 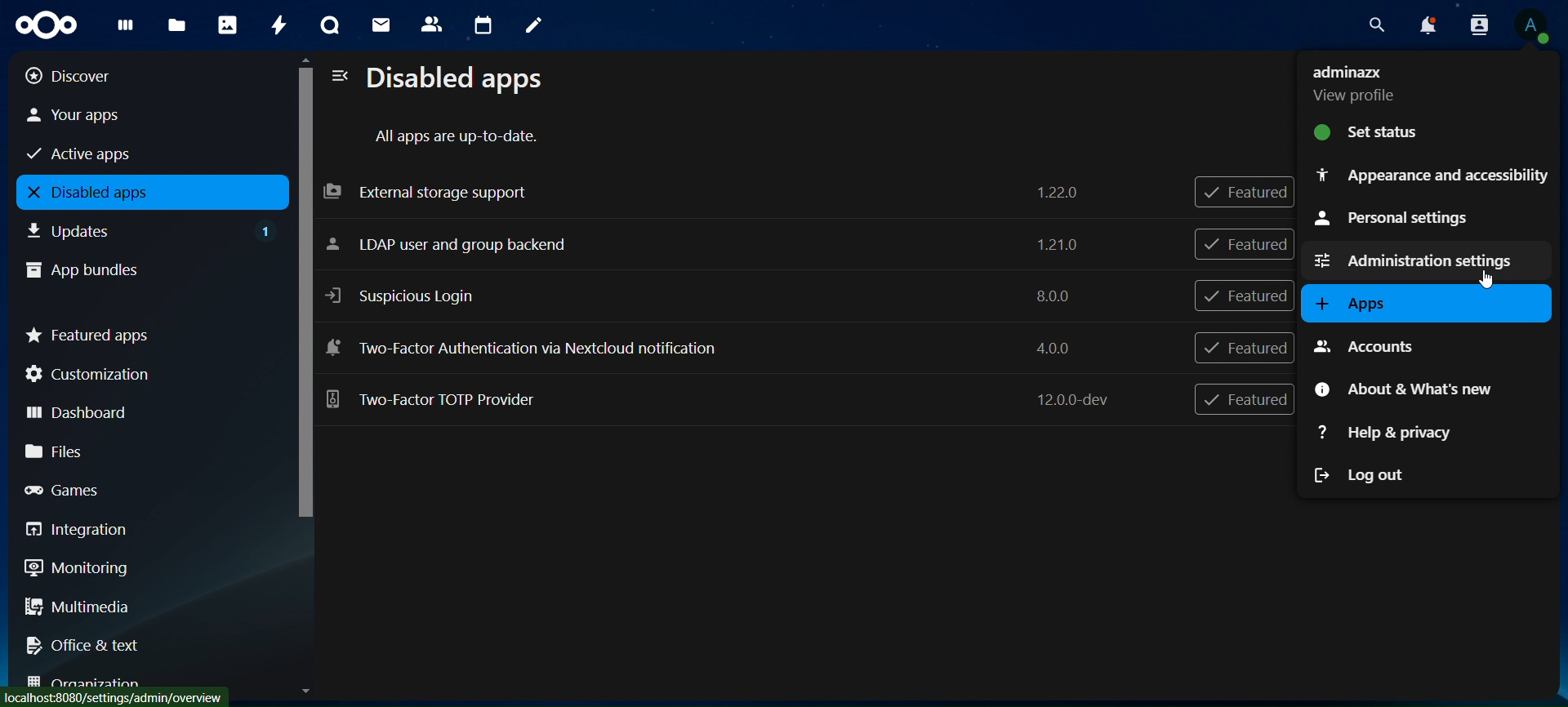 I want to click on disabled apps, so click(x=462, y=80).